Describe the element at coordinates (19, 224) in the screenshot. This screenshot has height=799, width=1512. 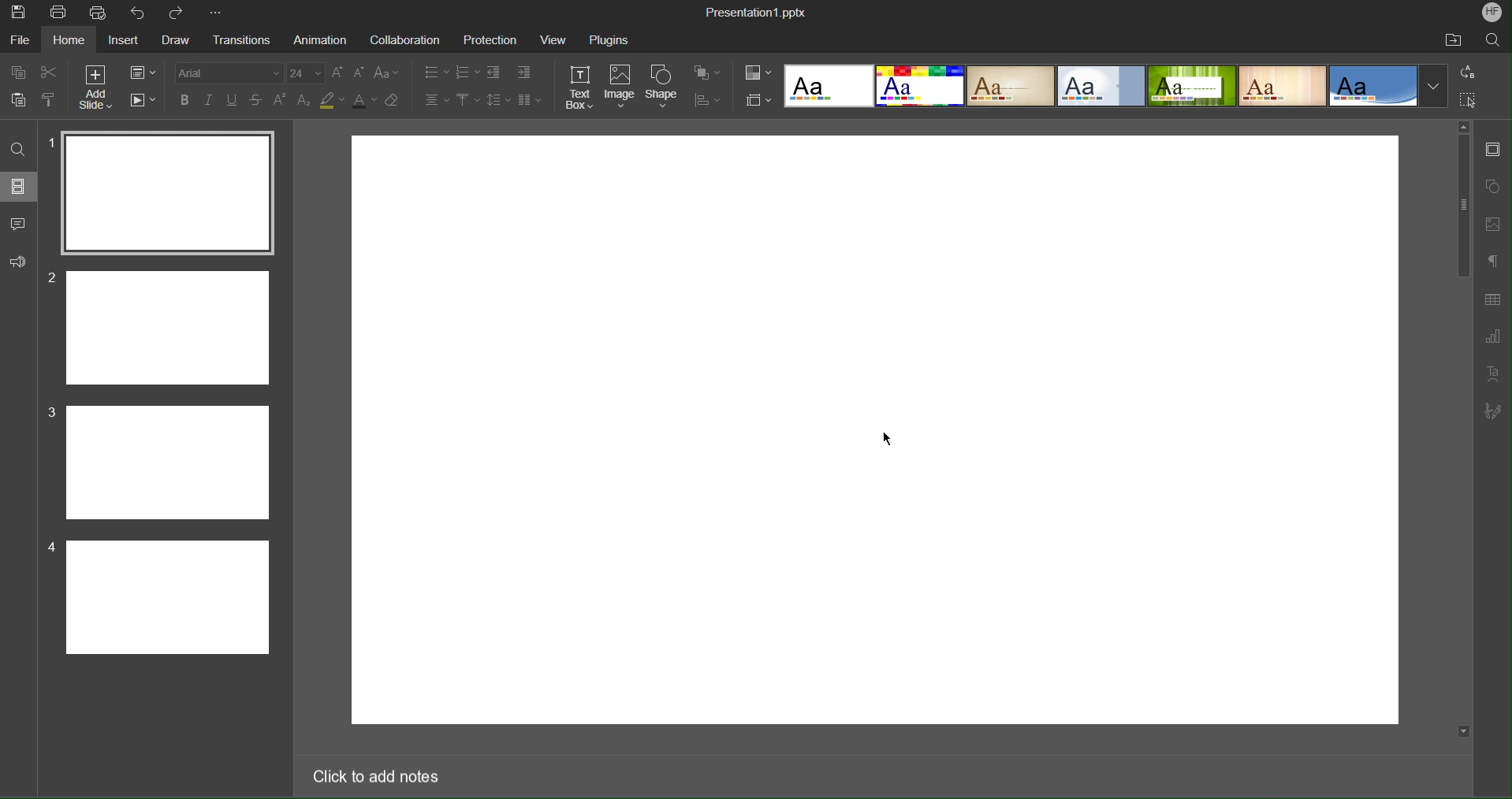
I see `Comments` at that location.